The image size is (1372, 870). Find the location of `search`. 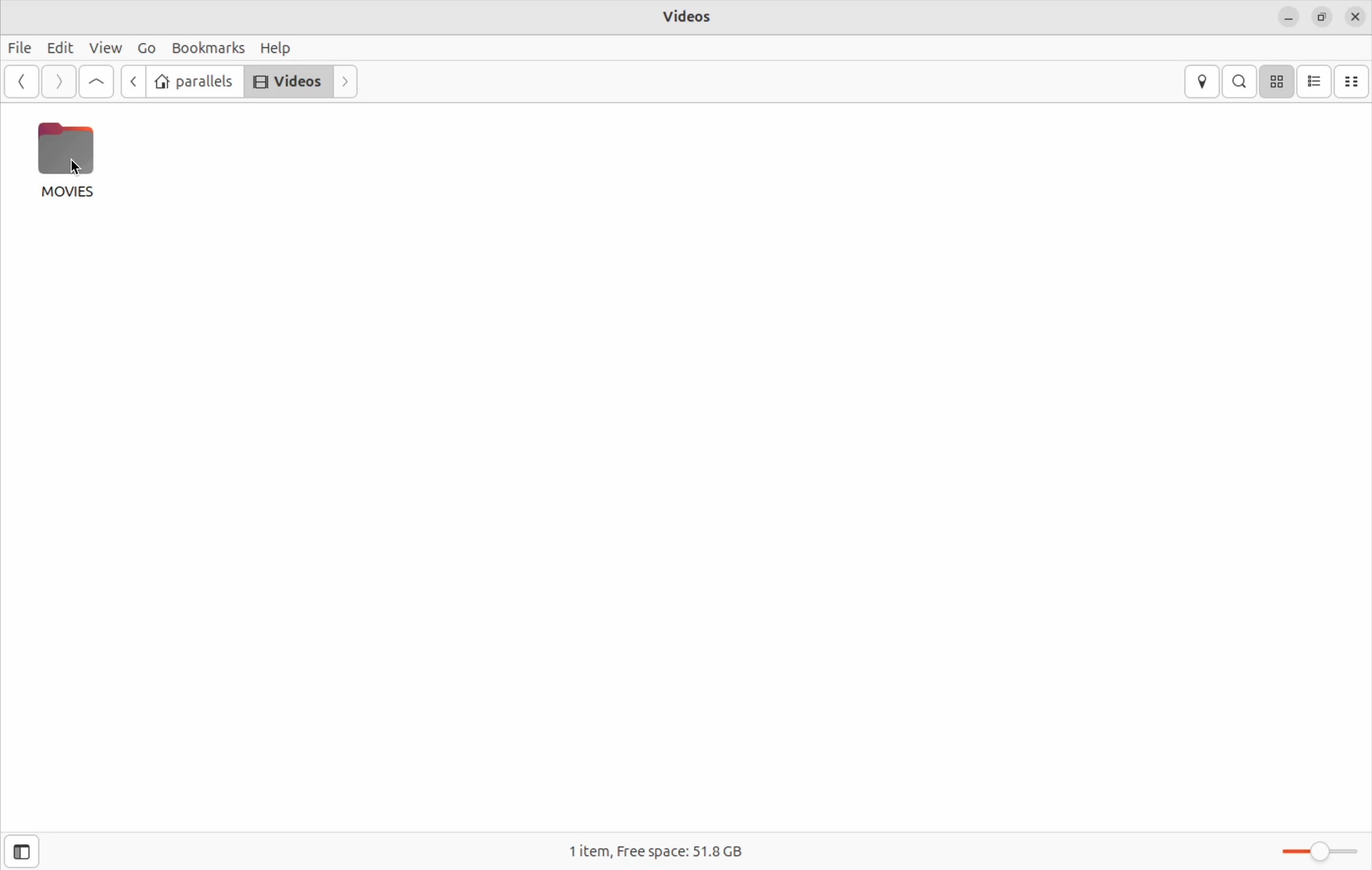

search is located at coordinates (1239, 80).